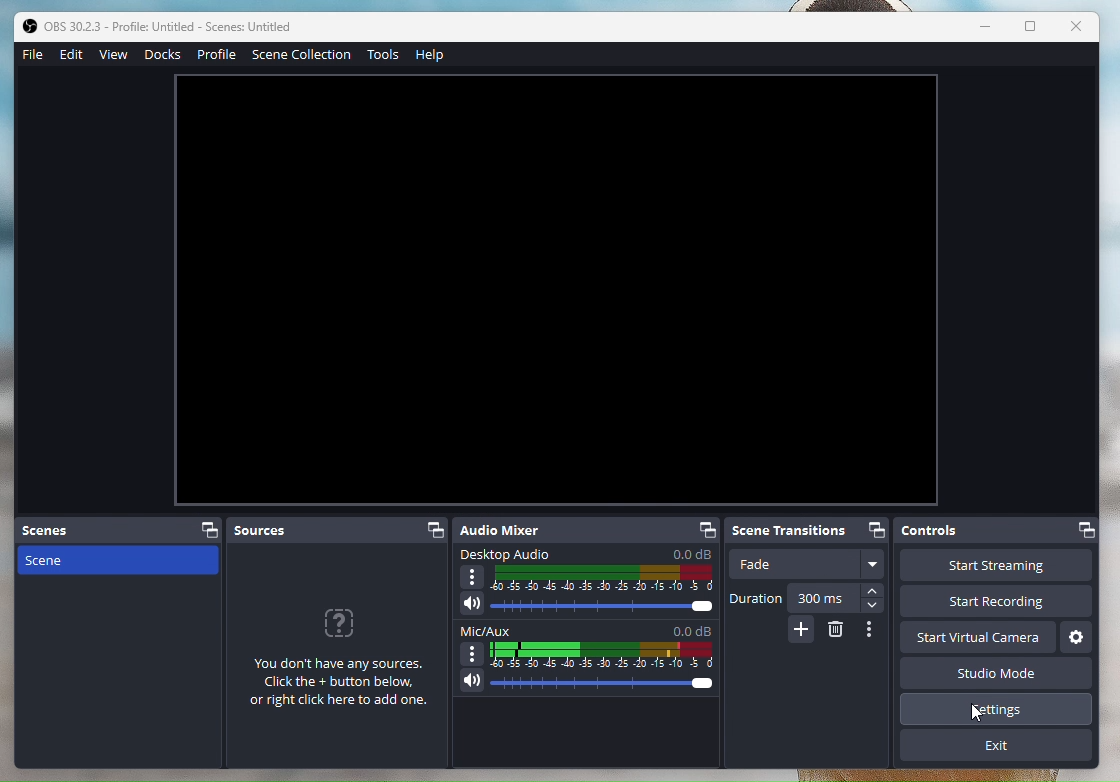 This screenshot has height=782, width=1120. What do you see at coordinates (72, 55) in the screenshot?
I see `Edit` at bounding box center [72, 55].